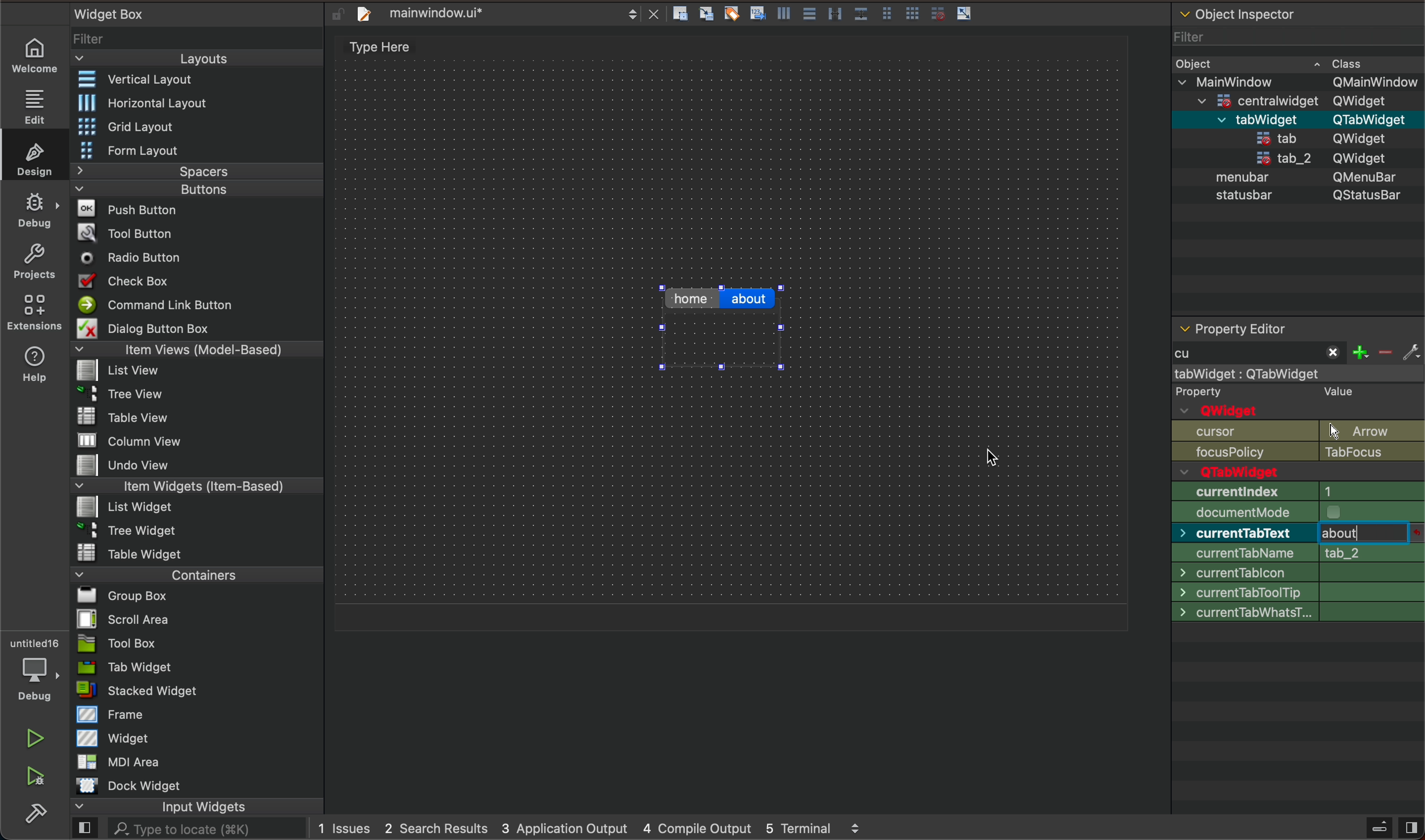 The height and width of the screenshot is (840, 1425). Describe the element at coordinates (1342, 60) in the screenshot. I see `~ Class` at that location.